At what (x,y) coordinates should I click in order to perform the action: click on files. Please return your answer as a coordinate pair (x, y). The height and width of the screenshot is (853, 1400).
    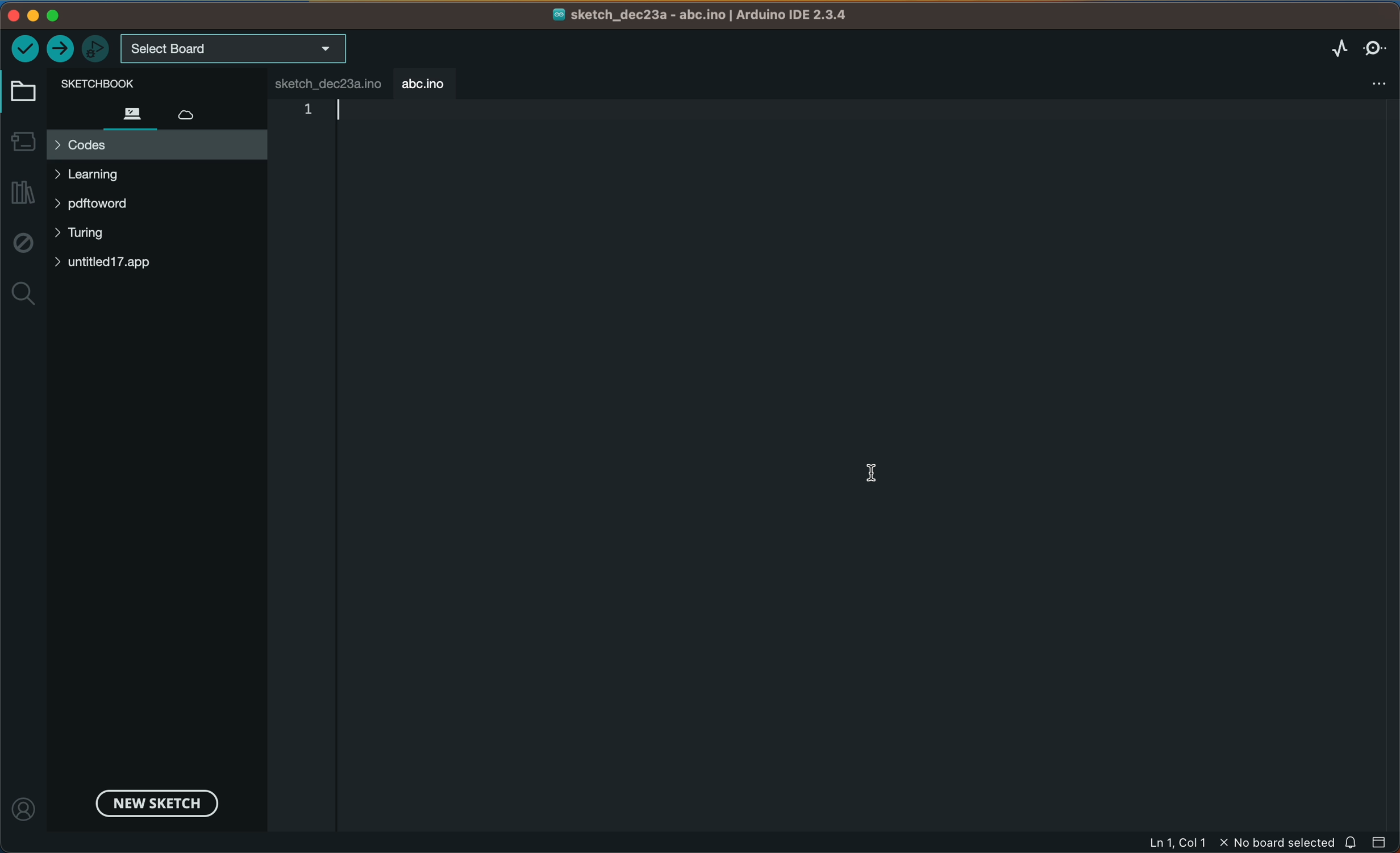
    Looking at the image, I should click on (131, 113).